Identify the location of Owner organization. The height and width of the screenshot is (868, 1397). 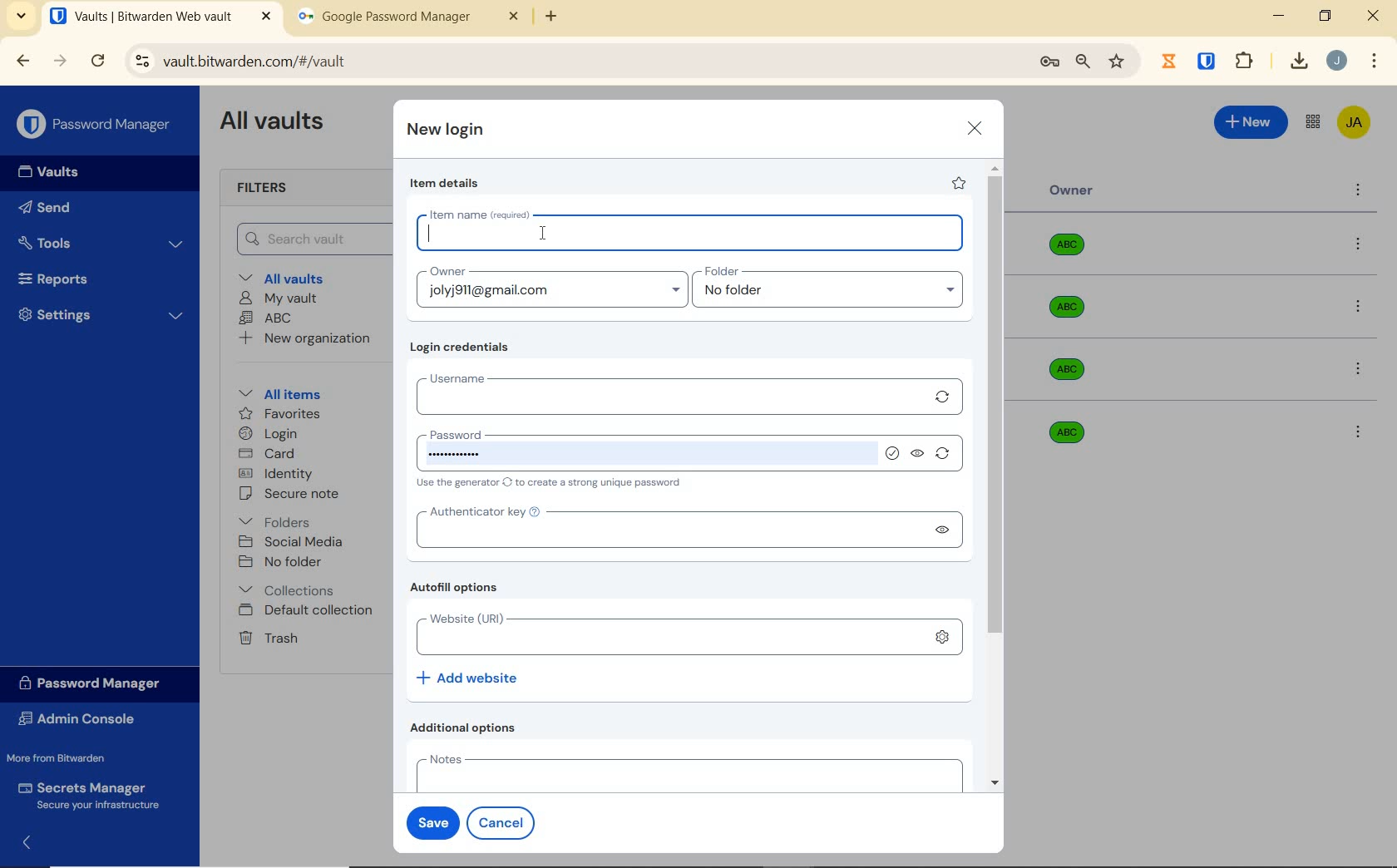
(1063, 431).